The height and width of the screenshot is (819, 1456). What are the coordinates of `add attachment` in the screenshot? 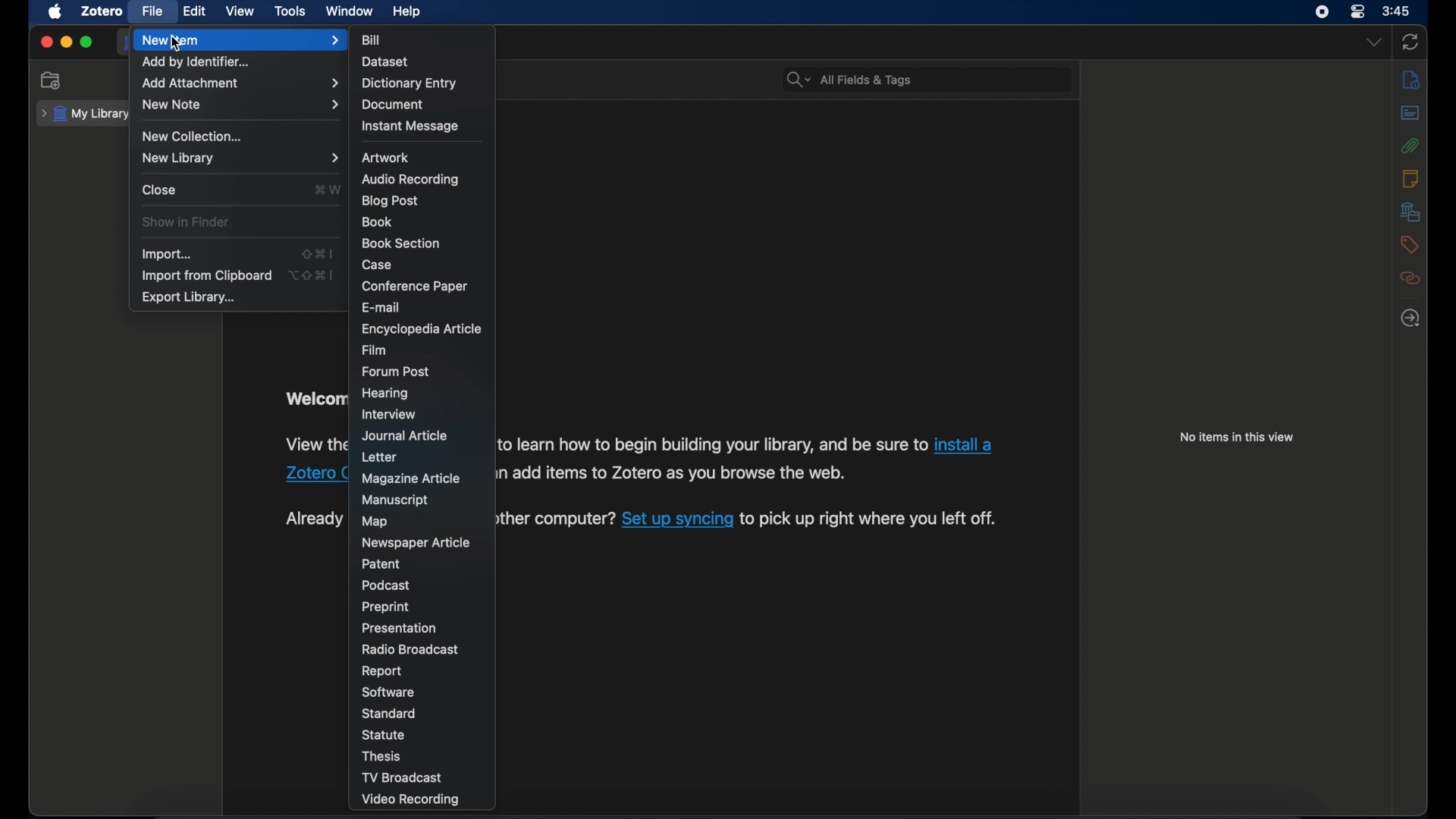 It's located at (240, 83).